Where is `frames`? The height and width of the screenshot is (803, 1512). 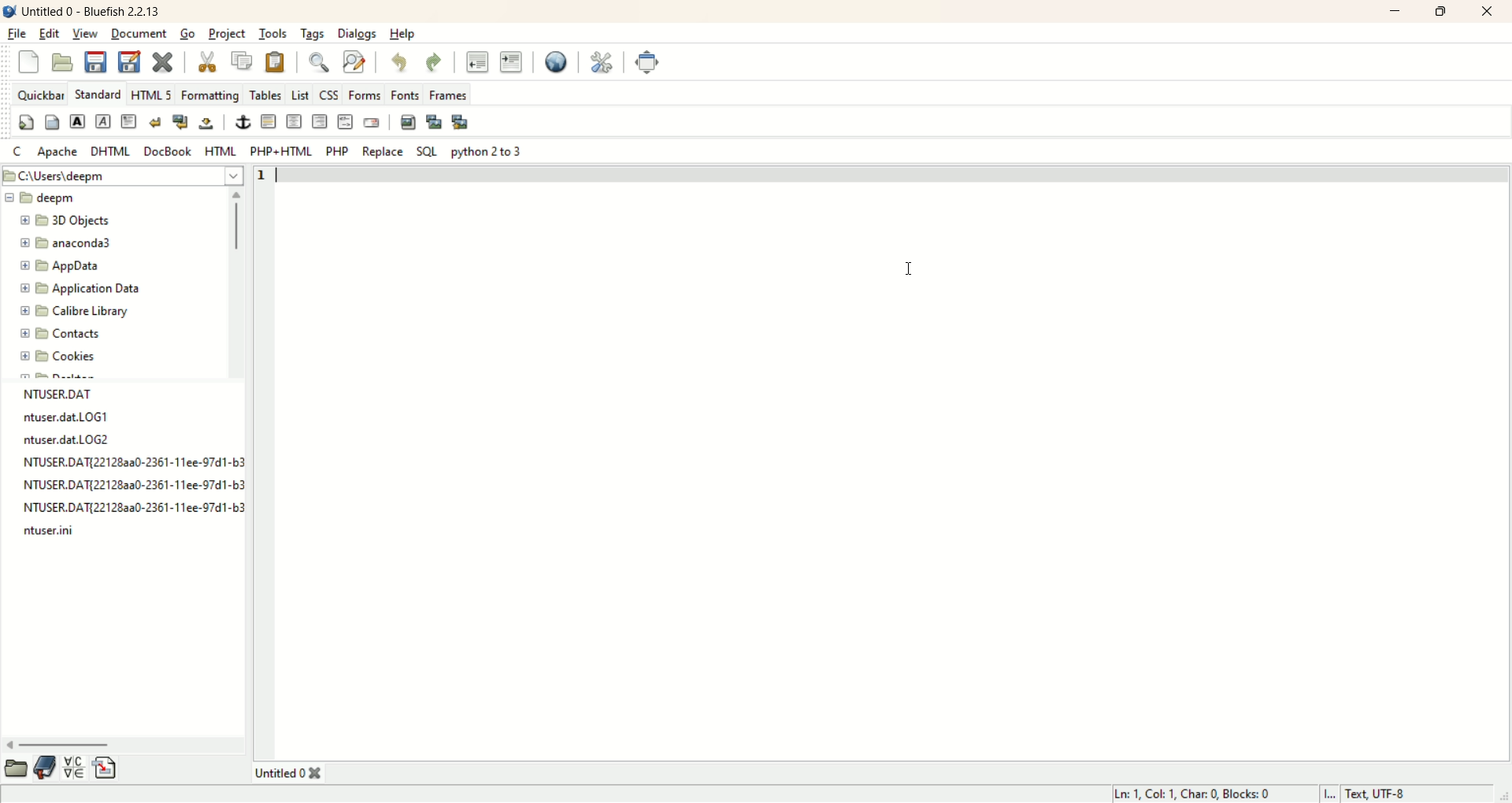
frames is located at coordinates (447, 94).